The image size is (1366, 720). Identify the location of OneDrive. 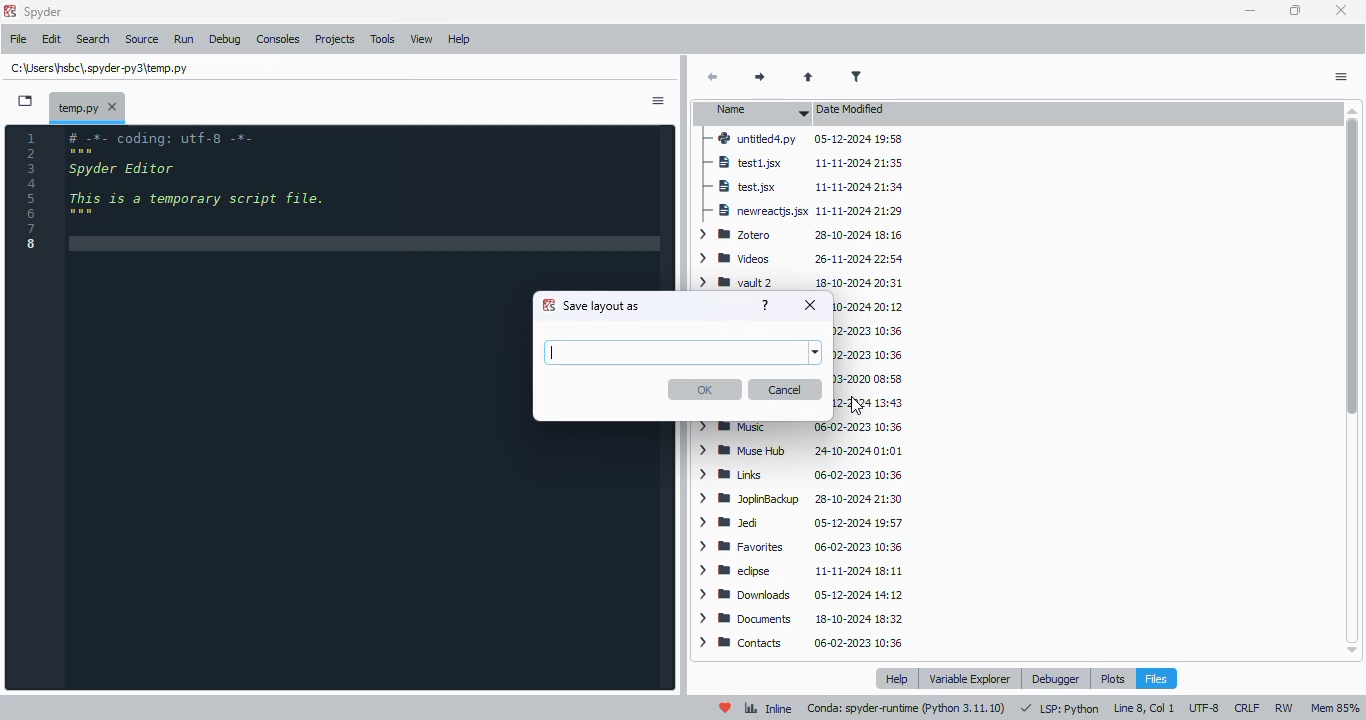
(868, 403).